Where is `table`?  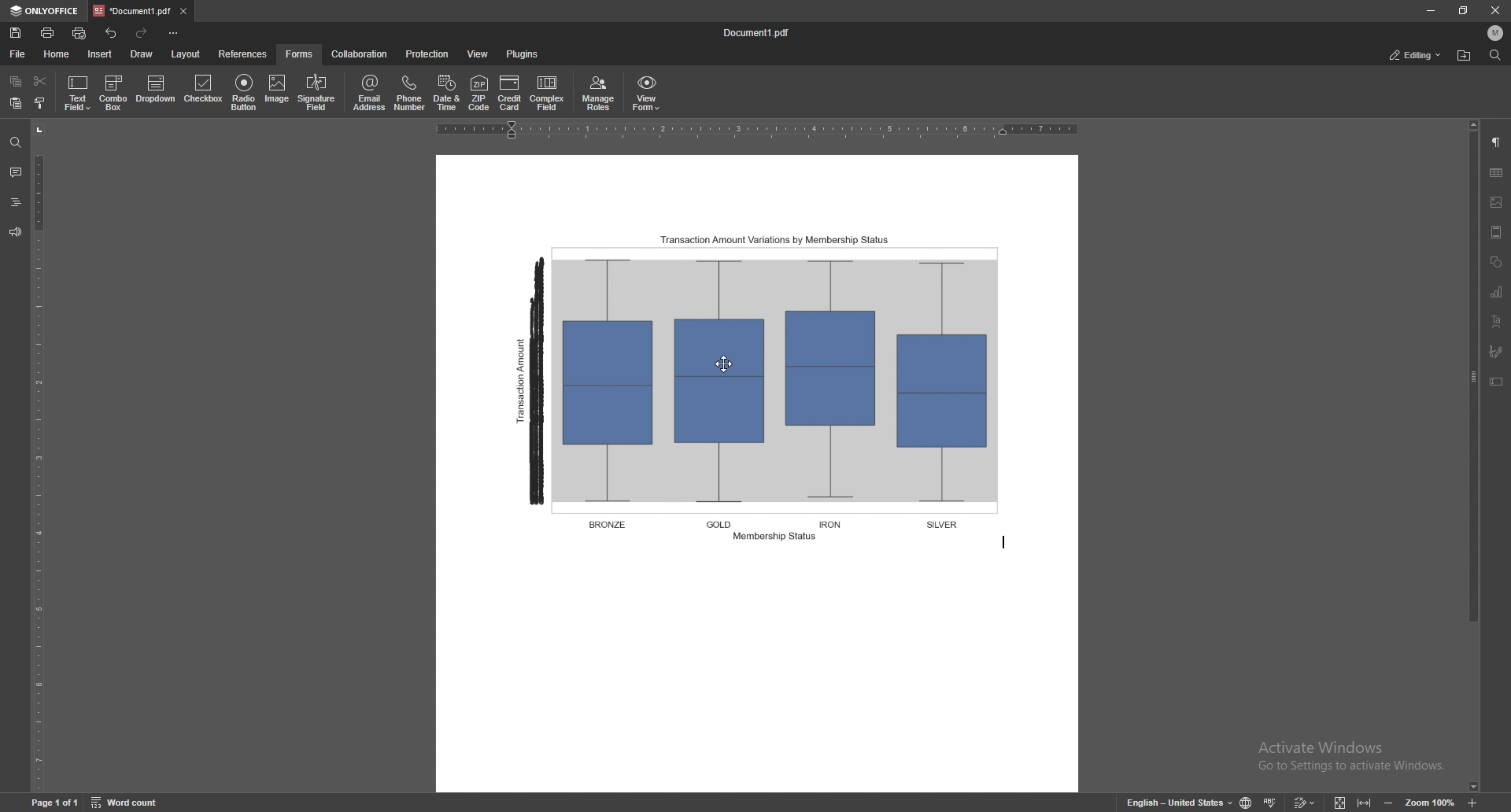 table is located at coordinates (1497, 172).